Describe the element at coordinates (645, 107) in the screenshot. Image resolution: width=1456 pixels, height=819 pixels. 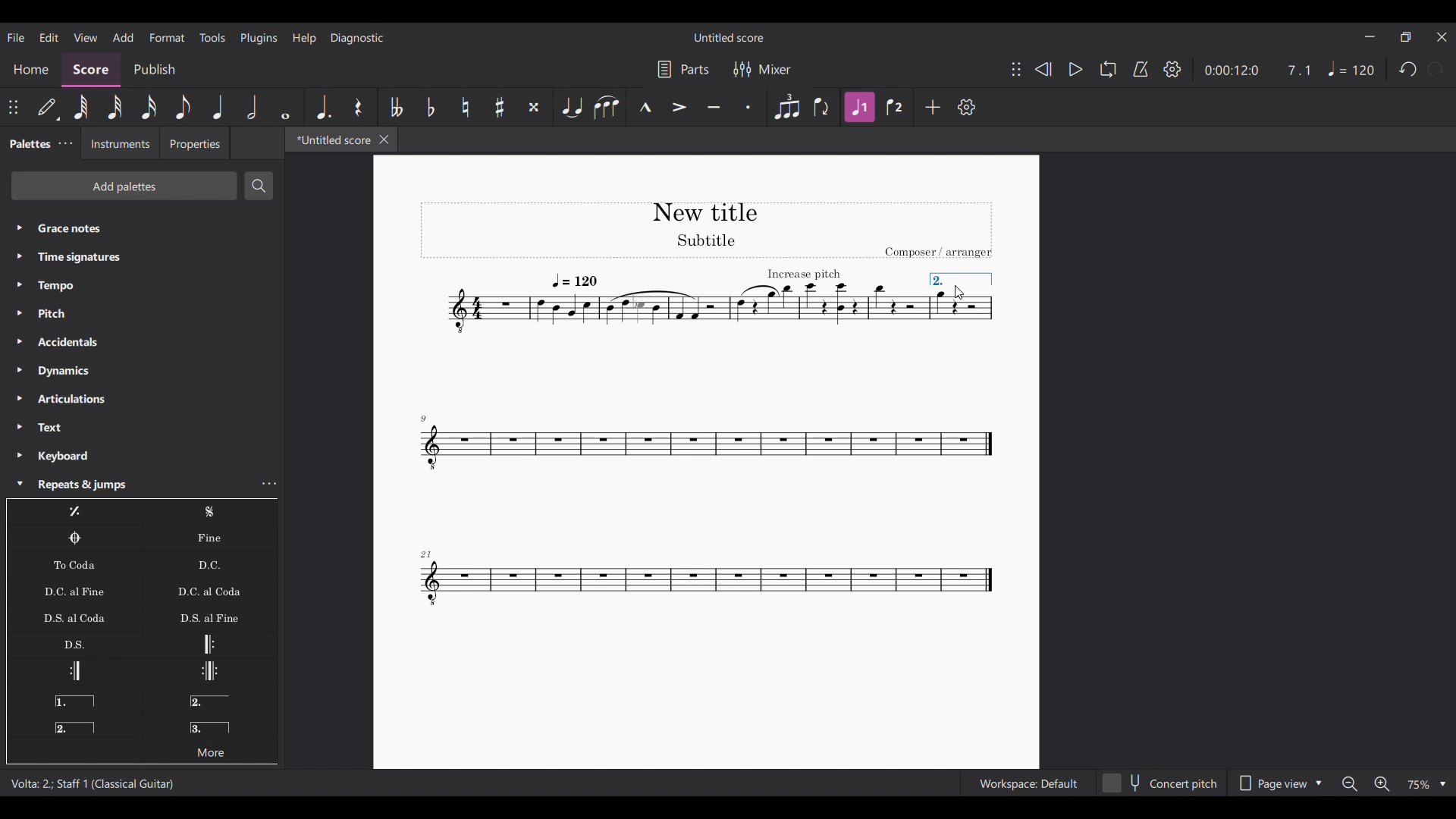
I see `Marcato` at that location.